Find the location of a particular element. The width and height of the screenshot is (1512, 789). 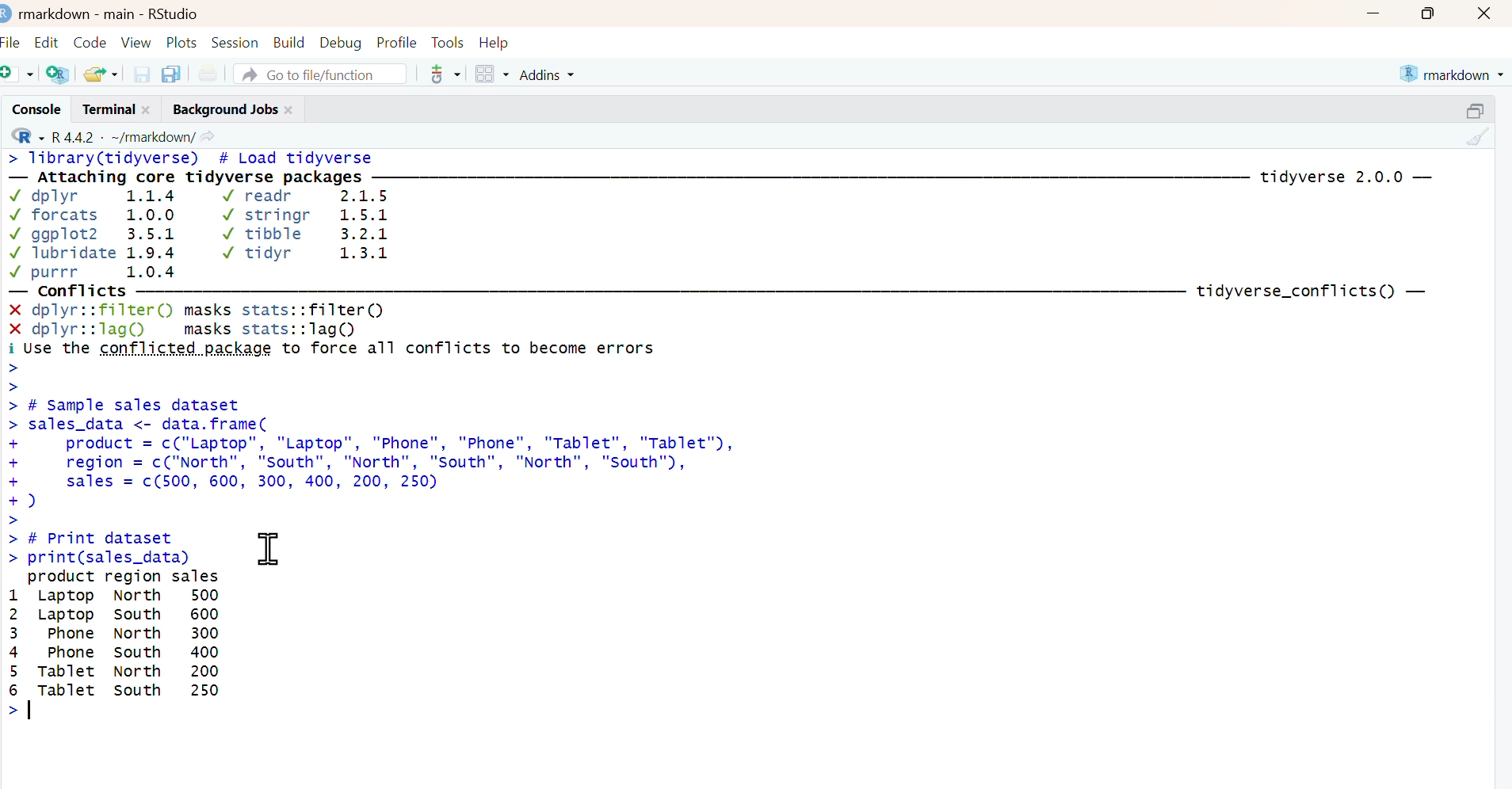

Debug is located at coordinates (341, 40).